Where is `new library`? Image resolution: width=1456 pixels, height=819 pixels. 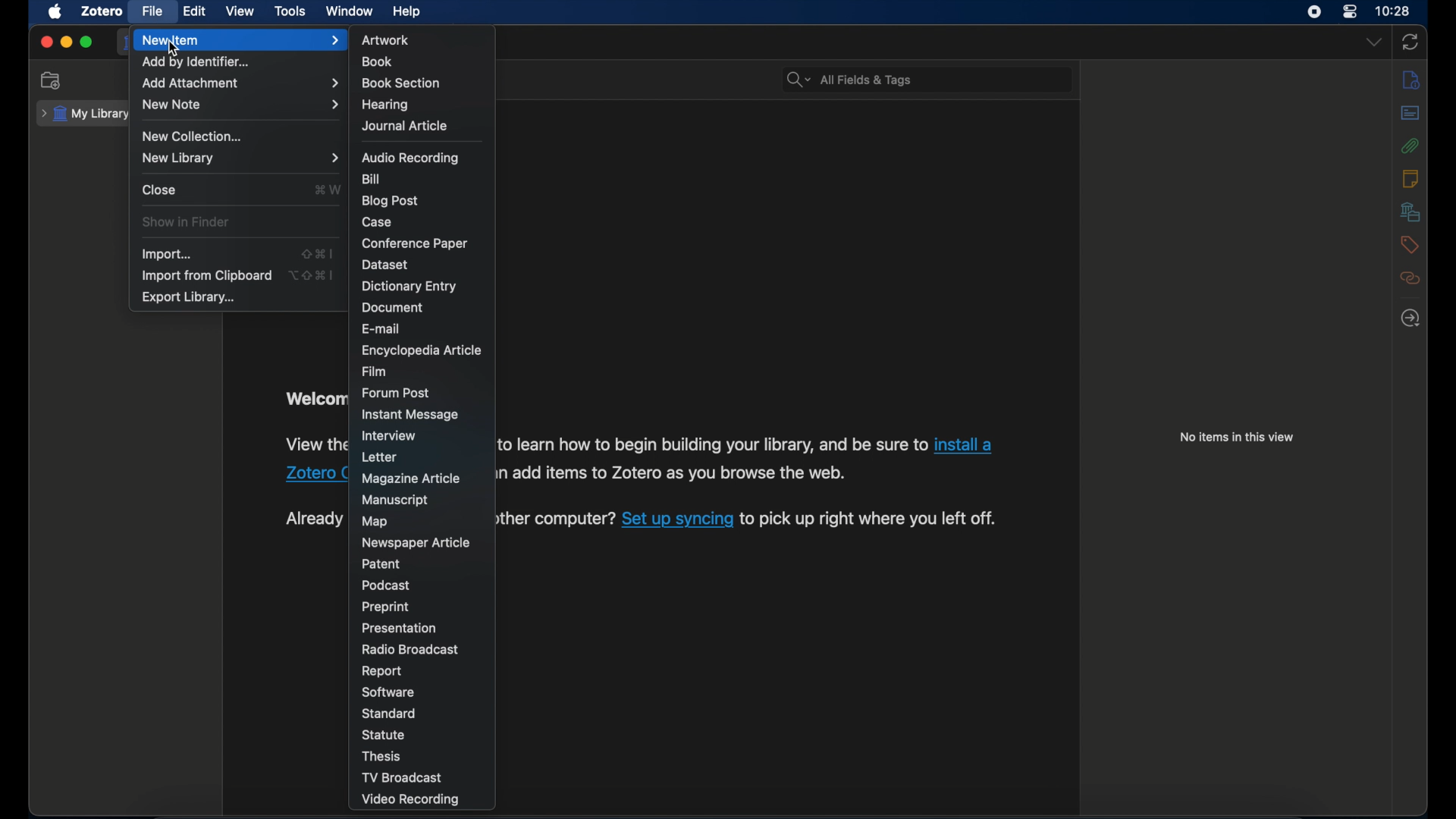
new library is located at coordinates (242, 158).